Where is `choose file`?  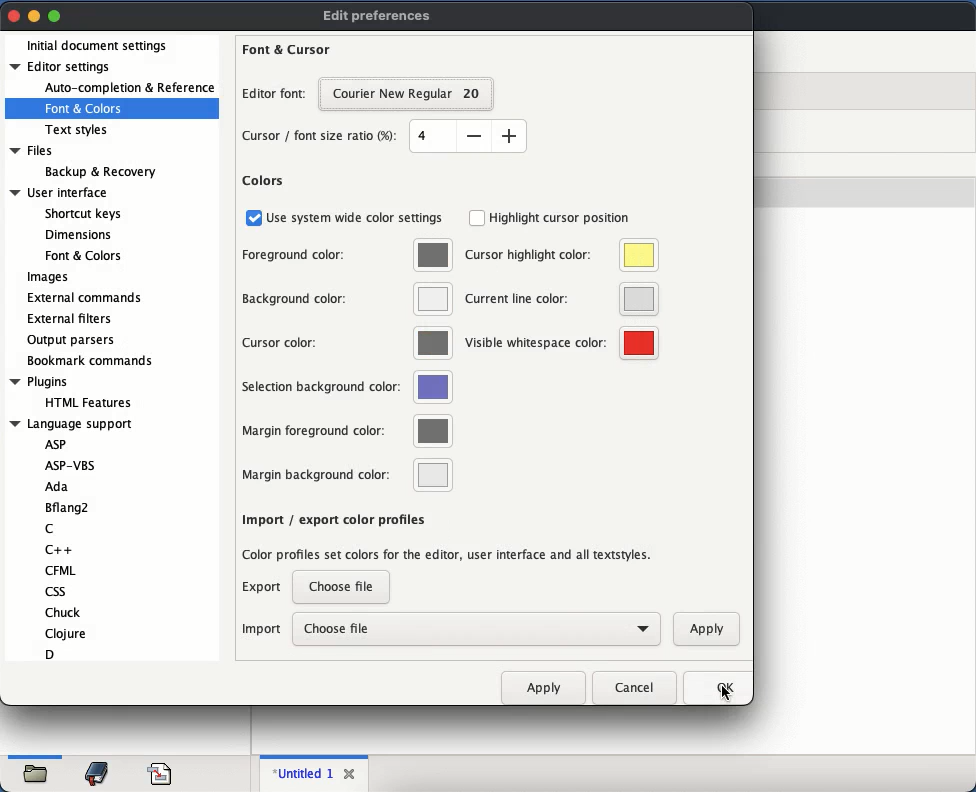 choose file is located at coordinates (481, 629).